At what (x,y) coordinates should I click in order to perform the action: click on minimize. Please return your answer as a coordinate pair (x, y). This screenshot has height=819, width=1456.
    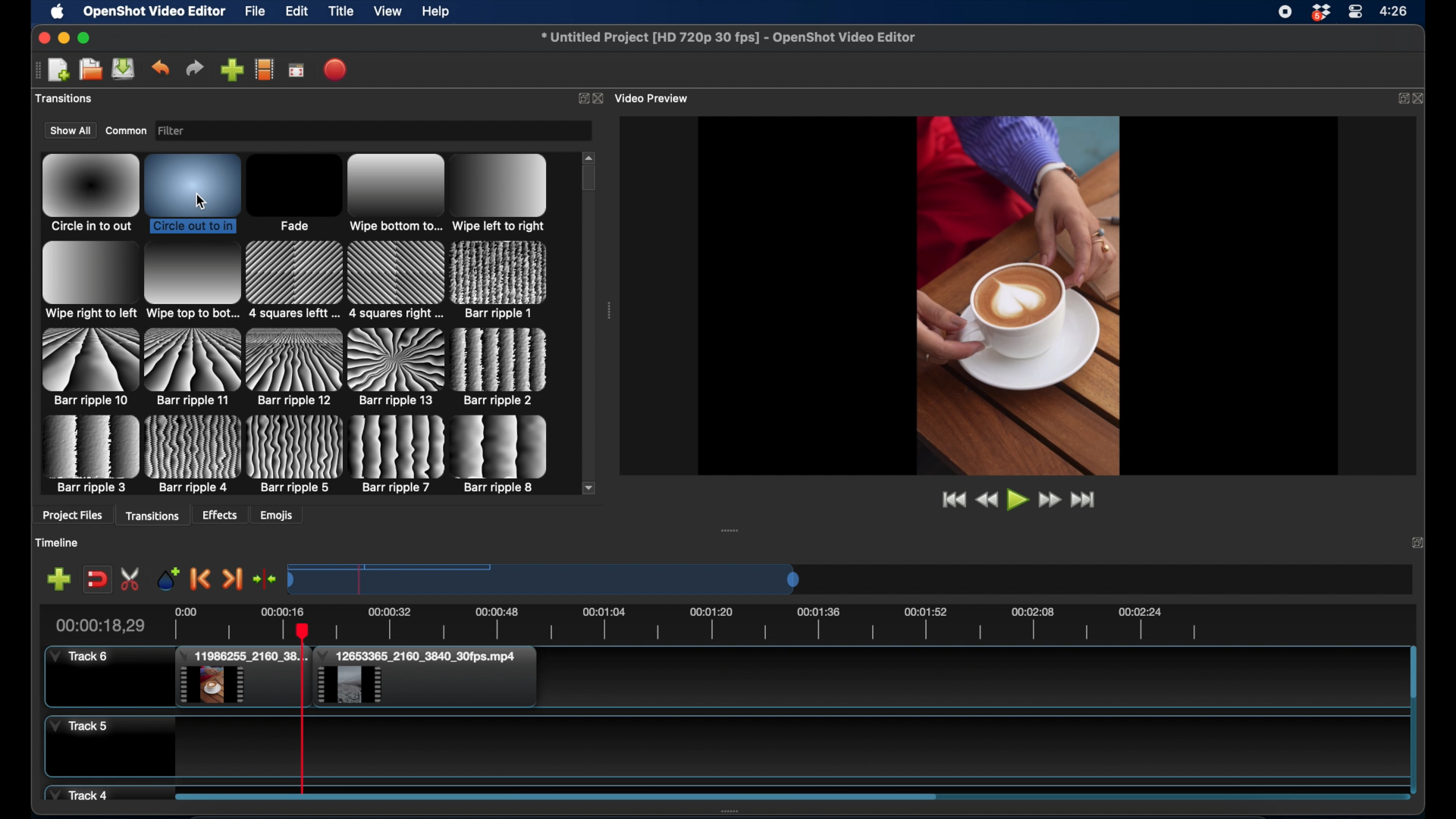
    Looking at the image, I should click on (63, 38).